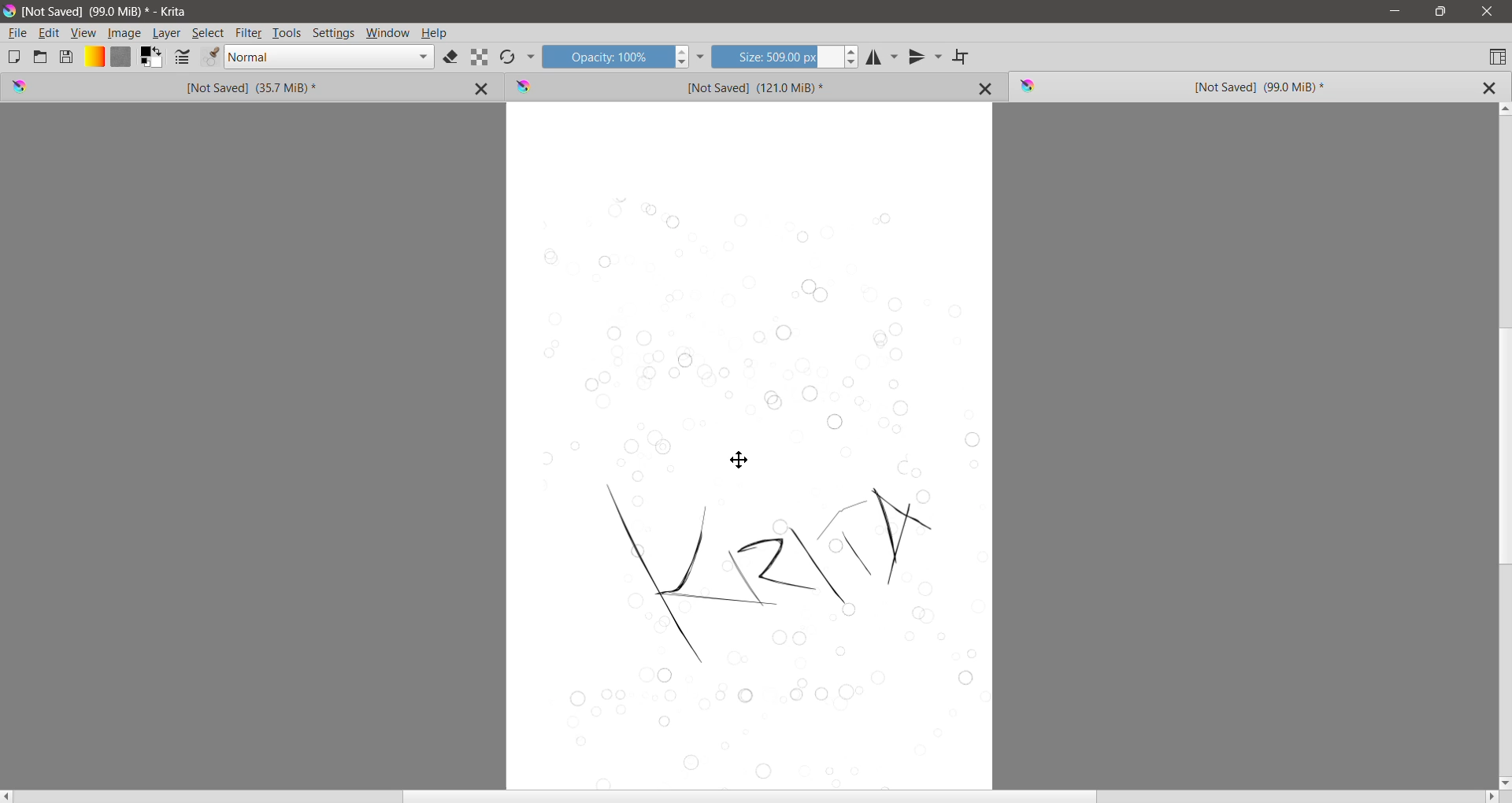 This screenshot has height=803, width=1512. Describe the element at coordinates (730, 86) in the screenshot. I see `Unsaved Image Tab 2` at that location.